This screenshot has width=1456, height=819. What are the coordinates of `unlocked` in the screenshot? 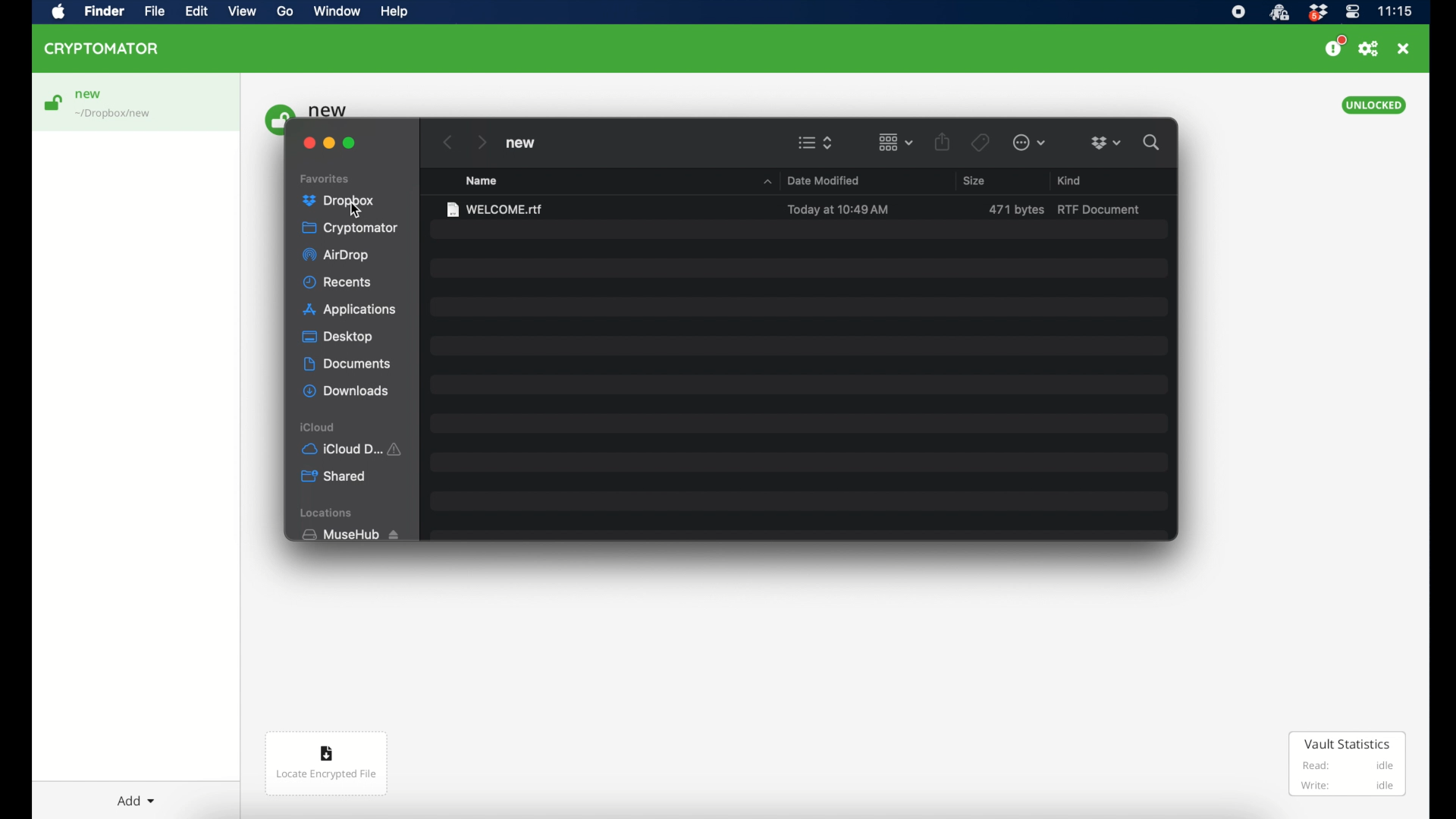 It's located at (1374, 105).